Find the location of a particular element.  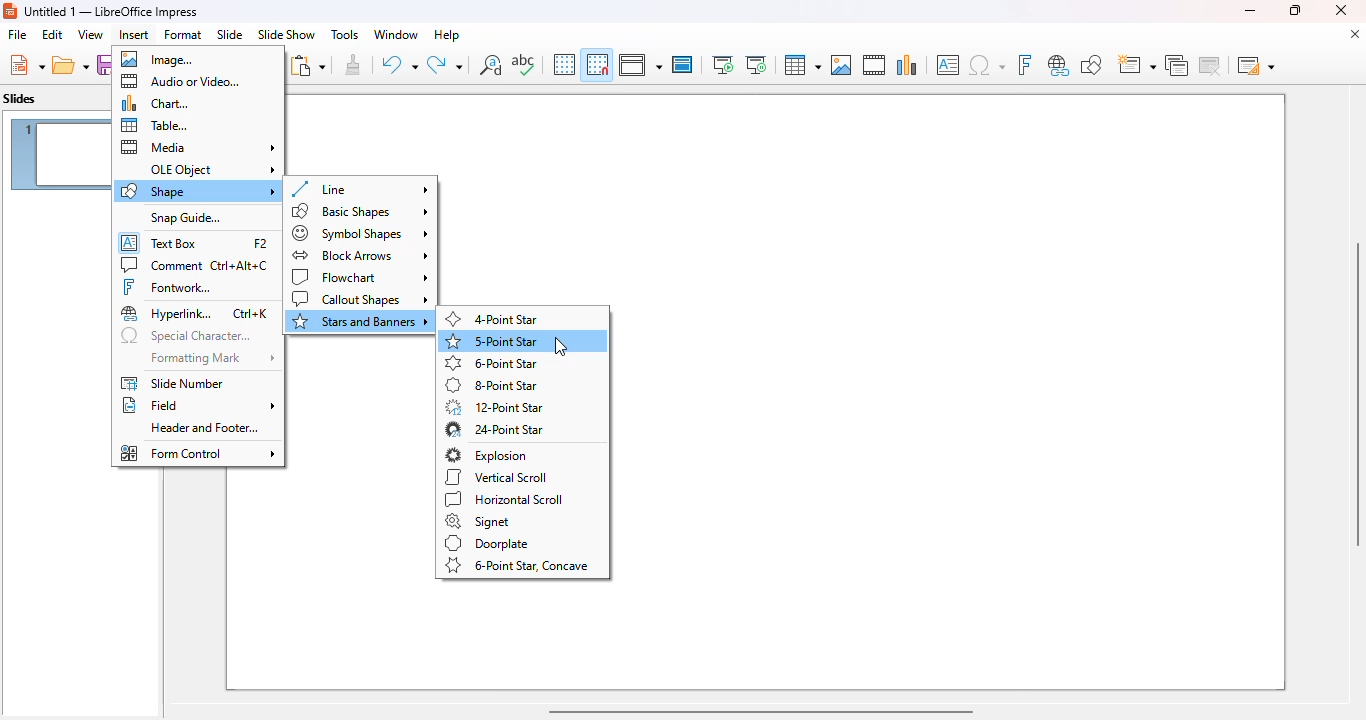

hyperlink is located at coordinates (195, 314).